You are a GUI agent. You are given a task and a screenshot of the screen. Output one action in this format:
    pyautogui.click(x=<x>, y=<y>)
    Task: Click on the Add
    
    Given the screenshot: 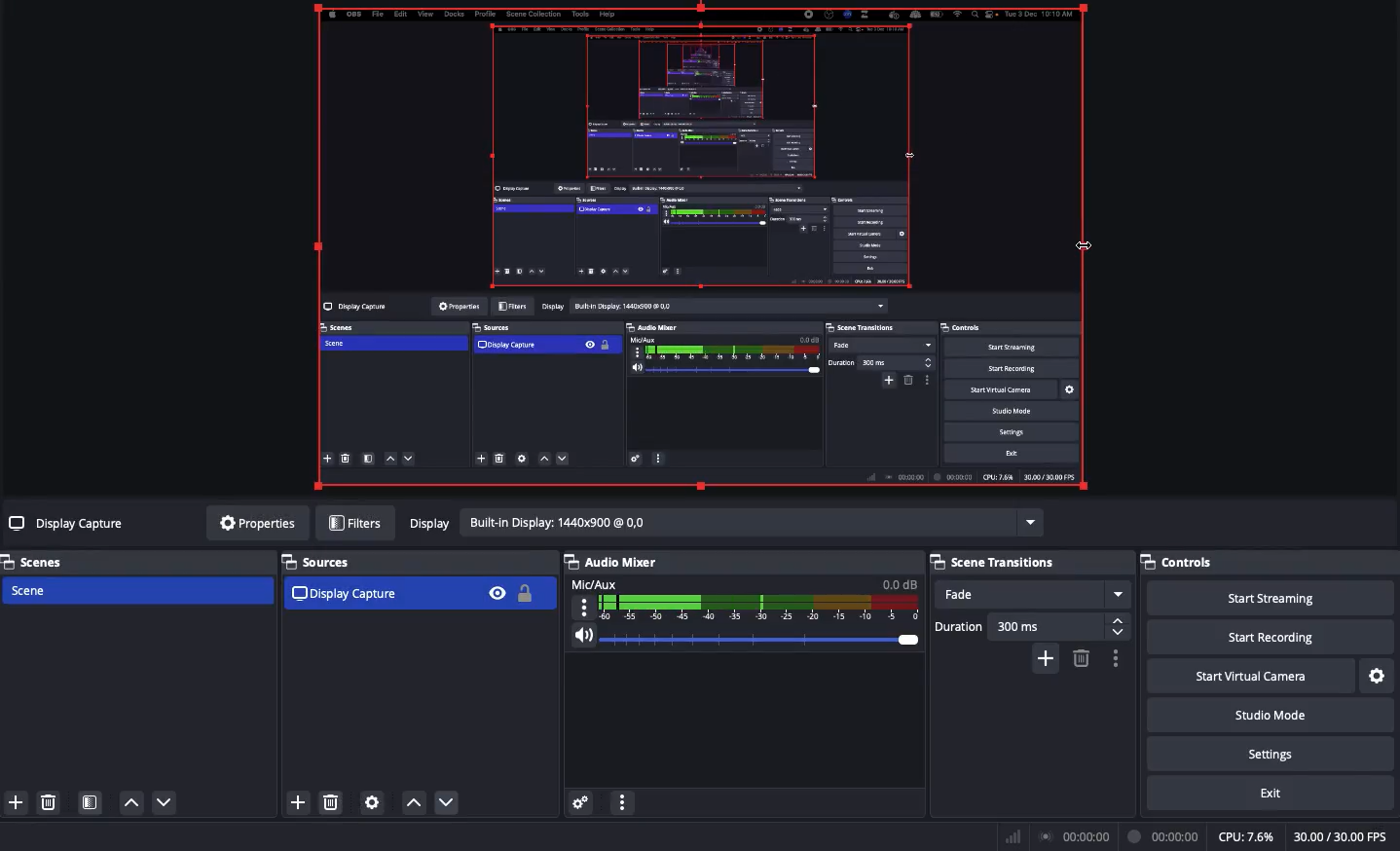 What is the action you would take?
    pyautogui.click(x=15, y=803)
    